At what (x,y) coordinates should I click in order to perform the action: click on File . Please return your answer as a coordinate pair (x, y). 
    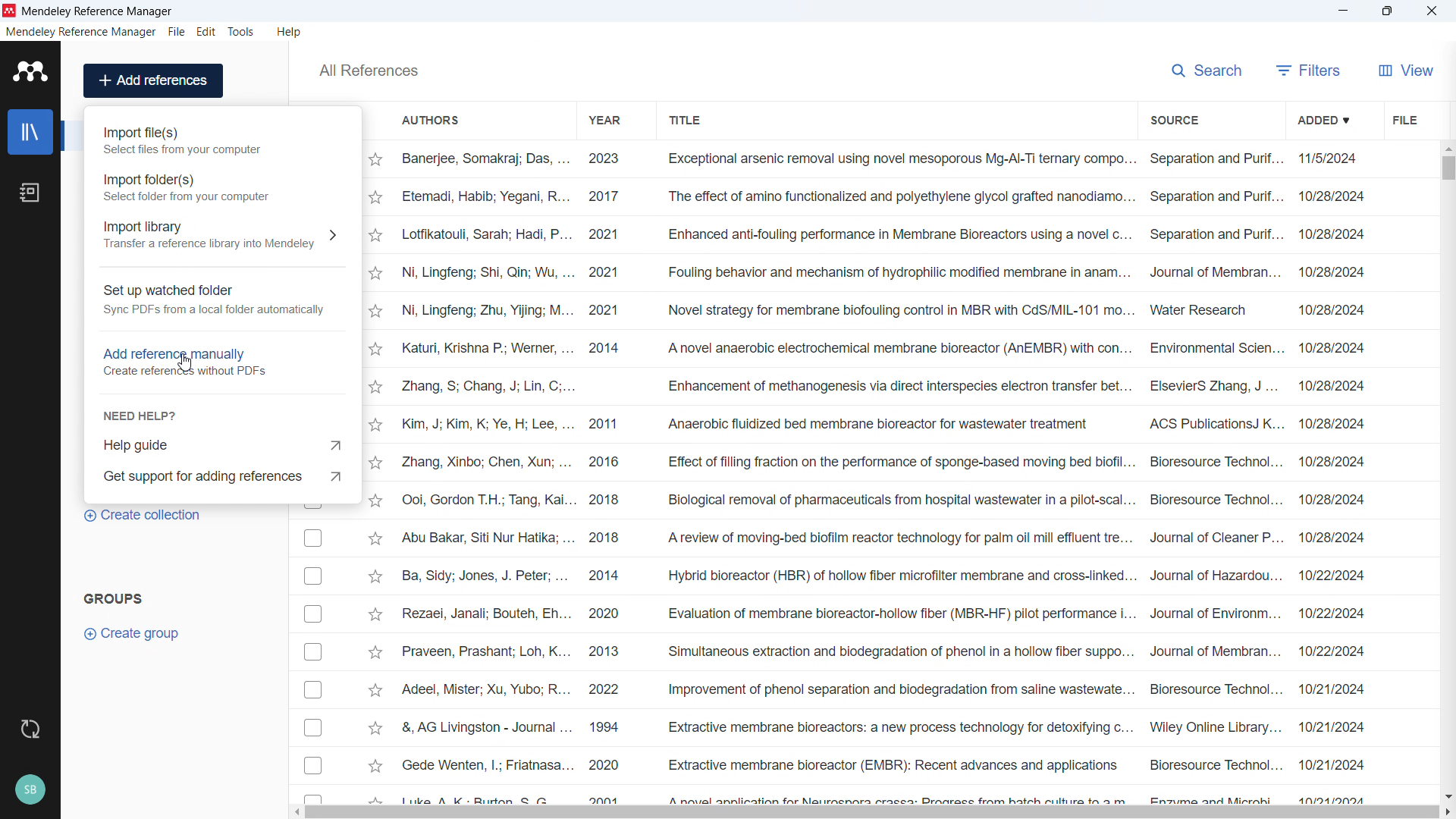
    Looking at the image, I should click on (1403, 119).